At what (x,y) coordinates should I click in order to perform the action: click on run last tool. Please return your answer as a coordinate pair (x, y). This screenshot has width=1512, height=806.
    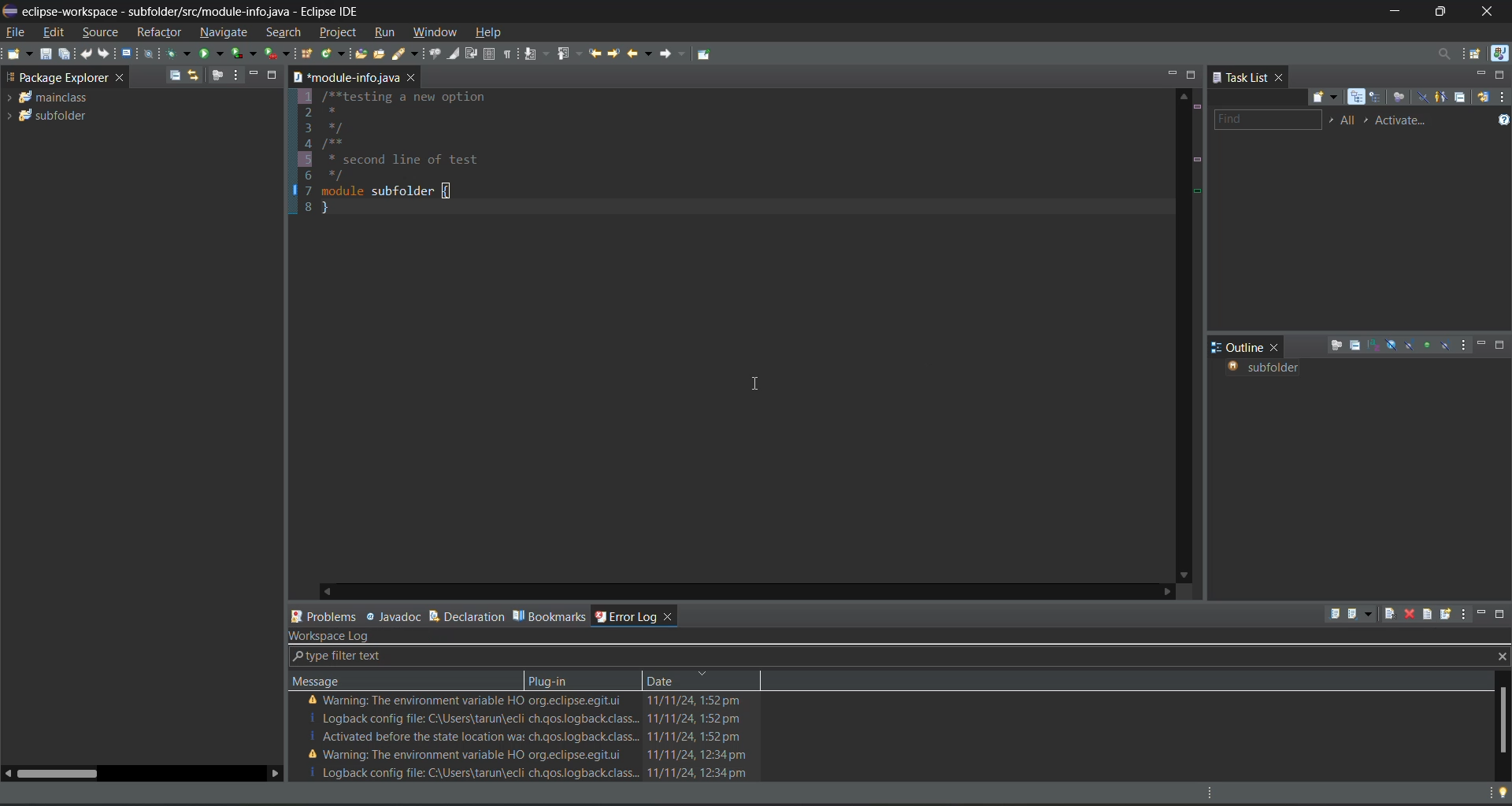
    Looking at the image, I should click on (277, 54).